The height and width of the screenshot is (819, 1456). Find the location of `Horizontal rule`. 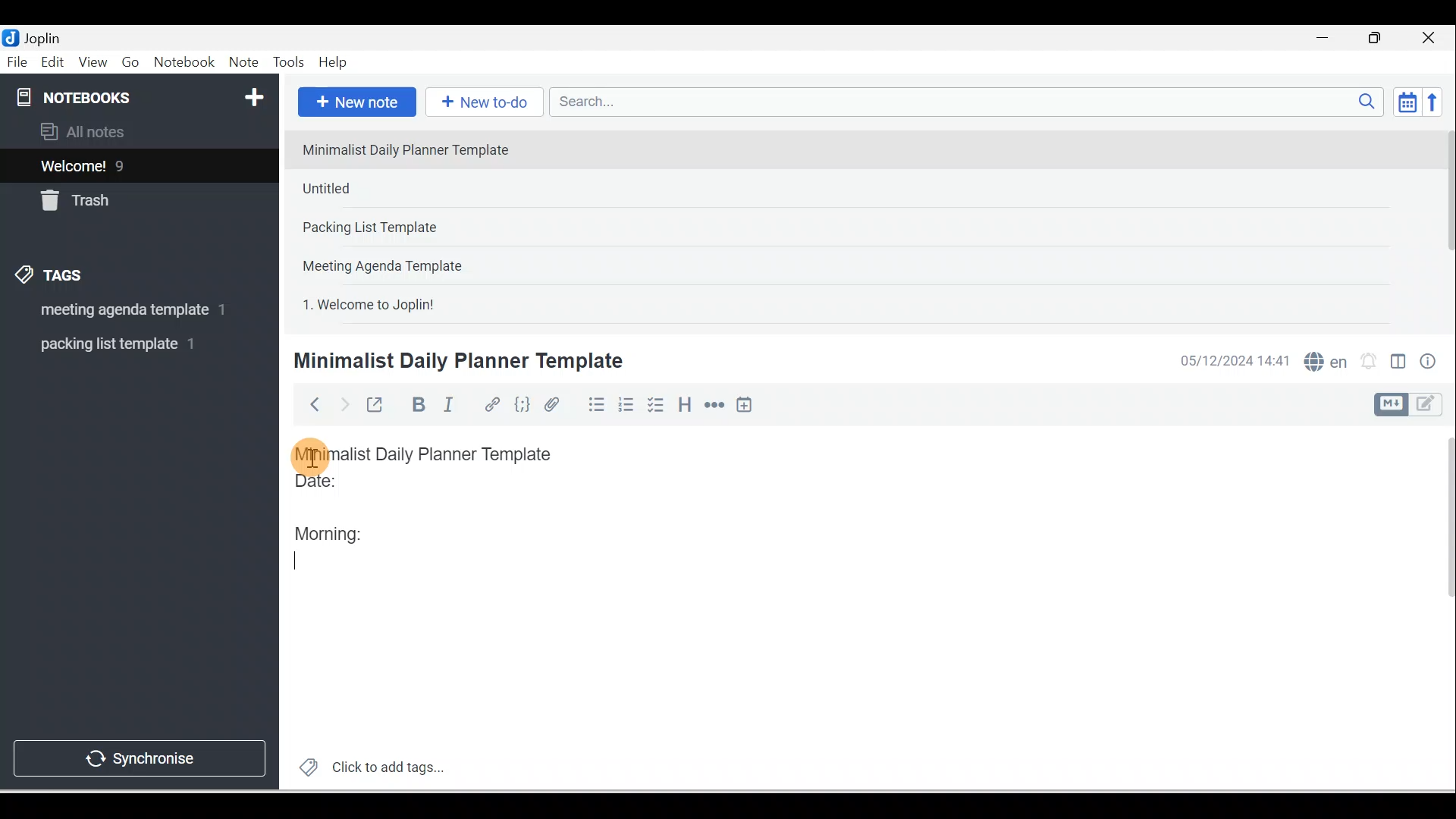

Horizontal rule is located at coordinates (716, 405).